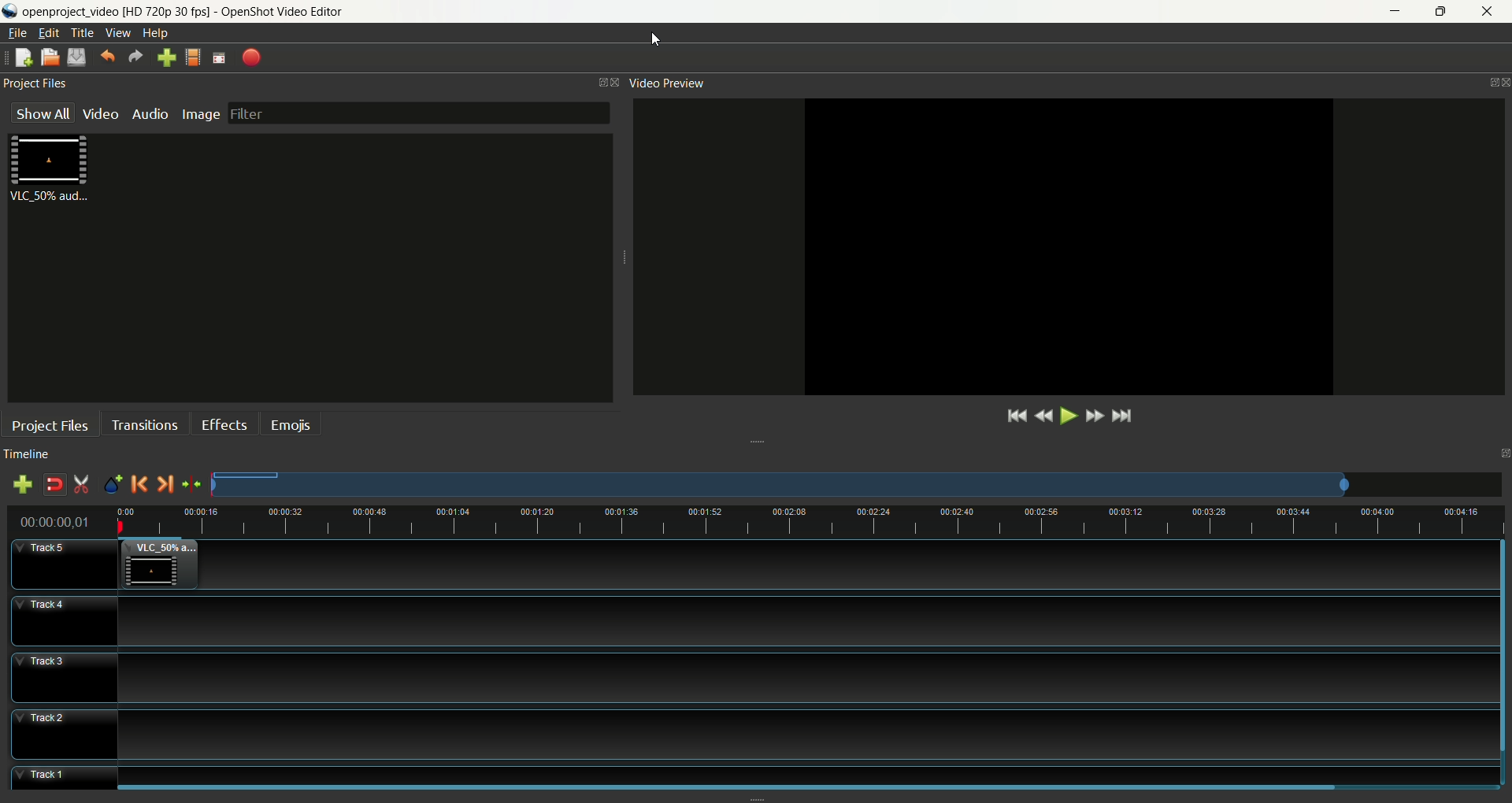 The image size is (1512, 803). What do you see at coordinates (1503, 80) in the screenshot?
I see `close` at bounding box center [1503, 80].